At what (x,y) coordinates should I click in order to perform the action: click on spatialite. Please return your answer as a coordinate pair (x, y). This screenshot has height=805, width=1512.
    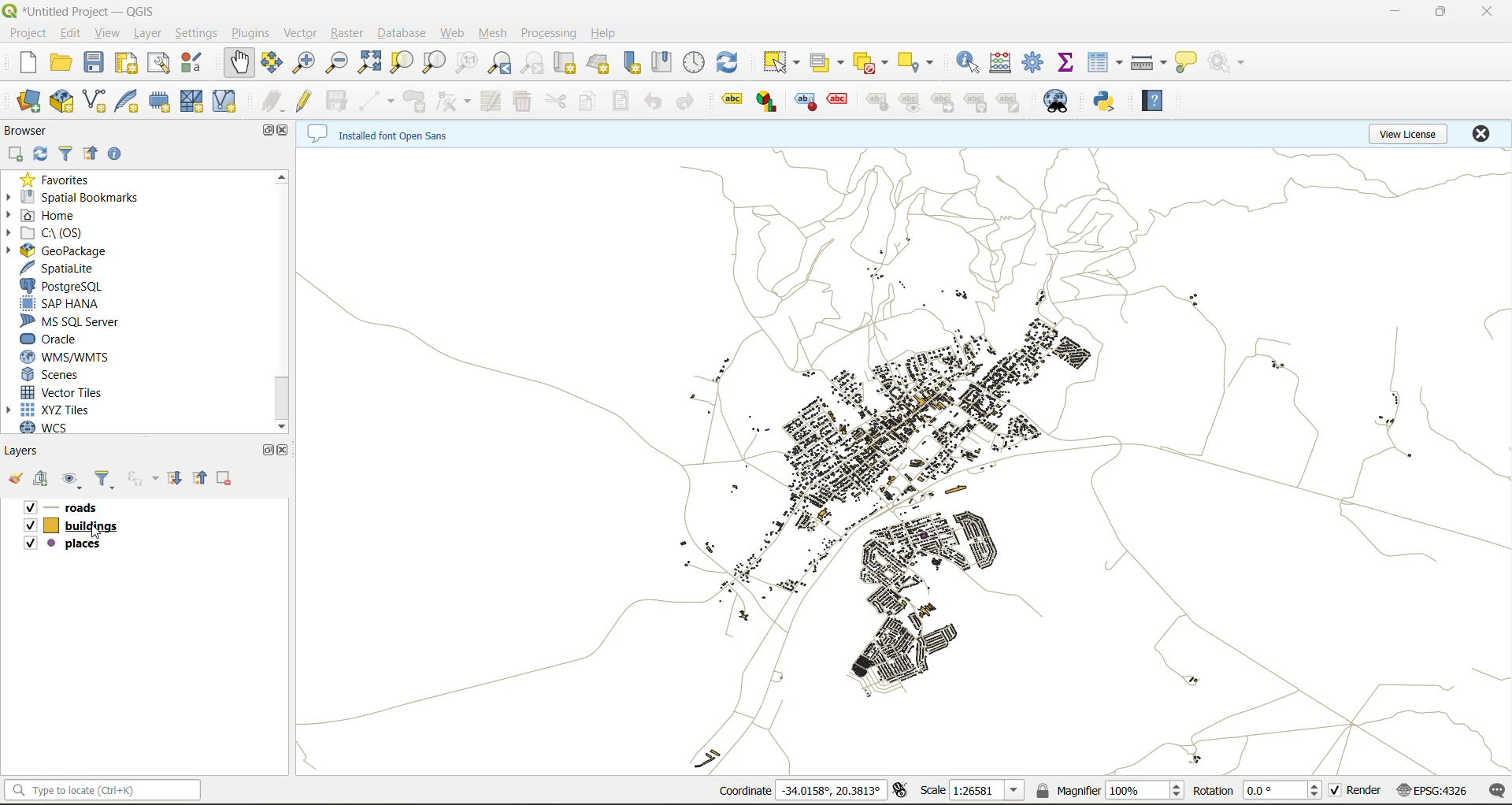
    Looking at the image, I should click on (67, 269).